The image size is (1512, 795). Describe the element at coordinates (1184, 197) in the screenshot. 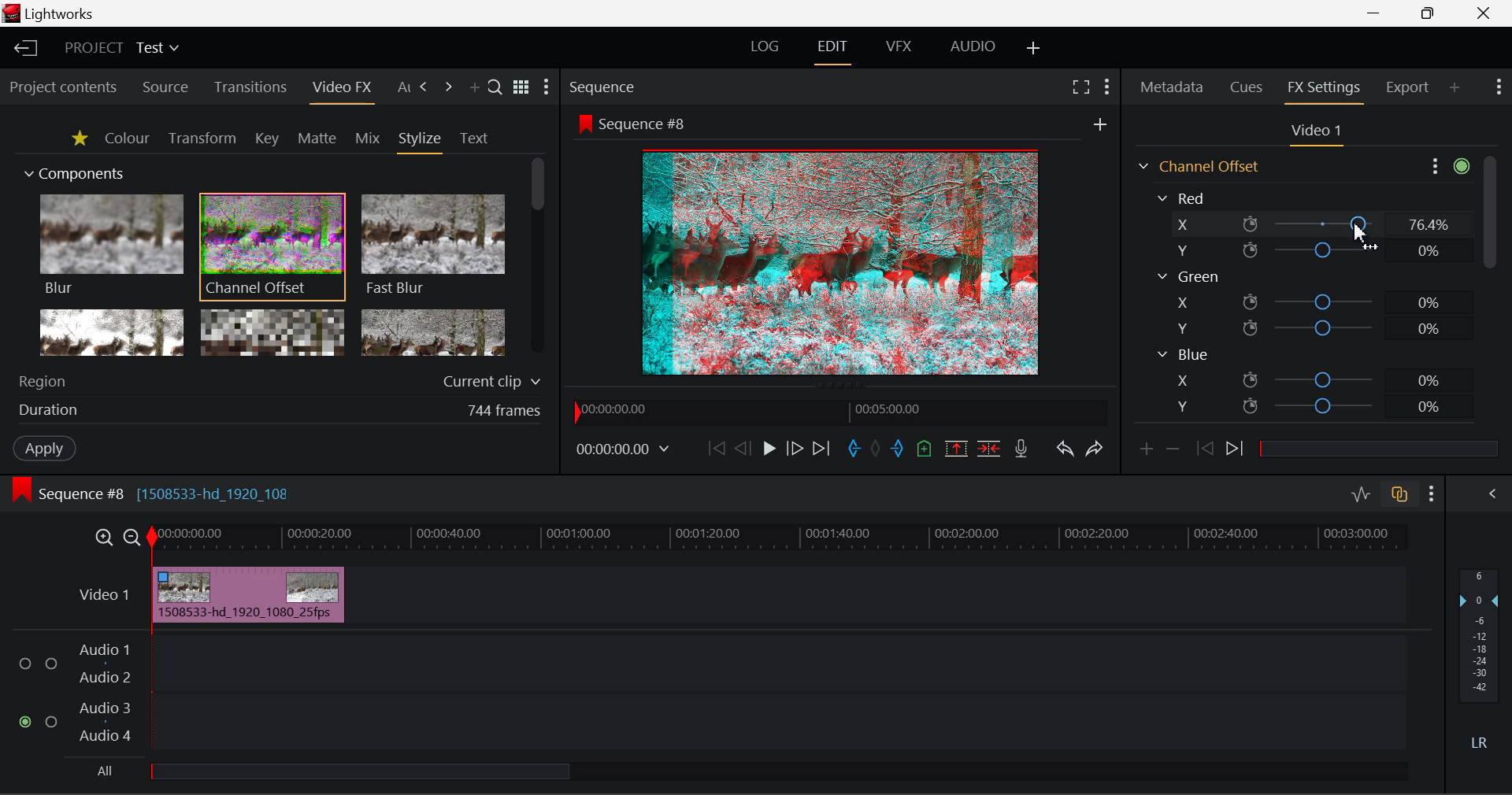

I see `Red` at that location.